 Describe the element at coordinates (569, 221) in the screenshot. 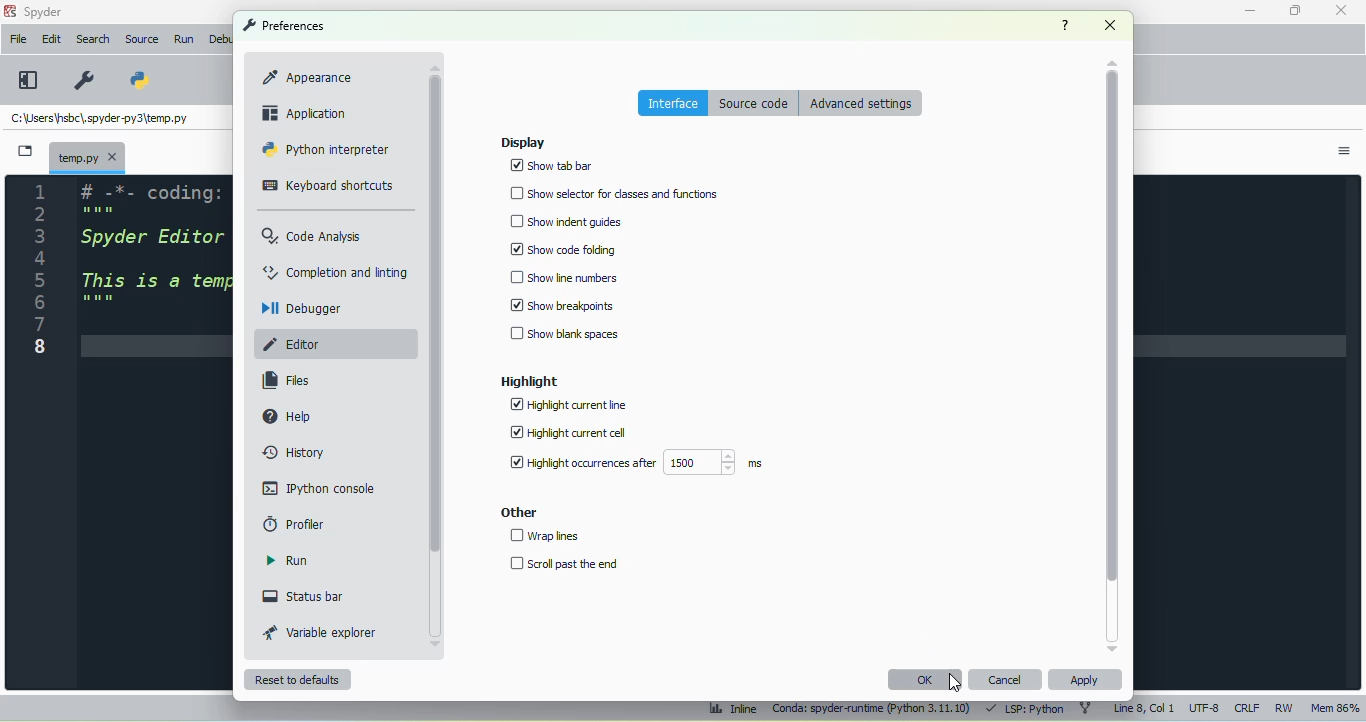

I see `show indent guides` at that location.